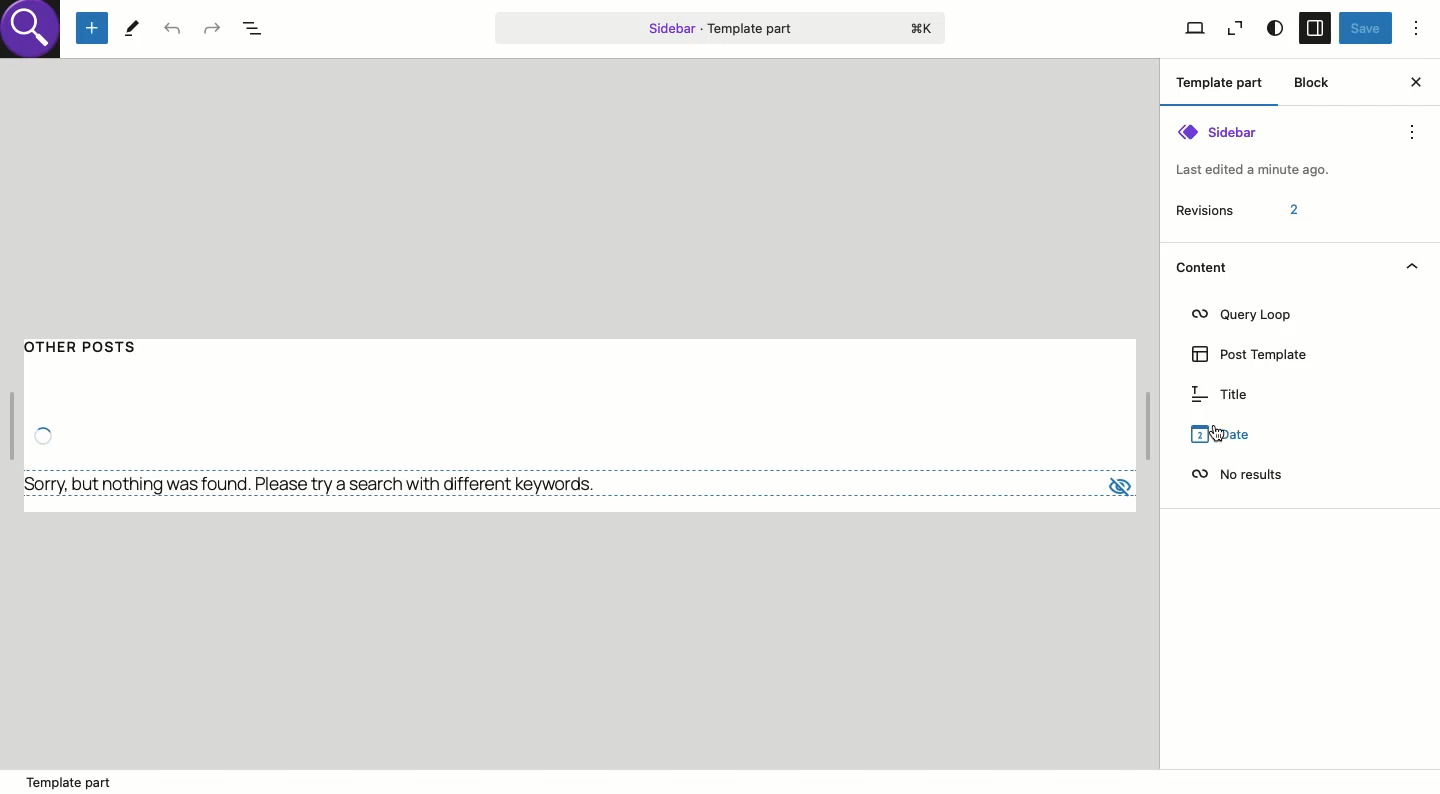  Describe the element at coordinates (720, 27) in the screenshot. I see `Template part` at that location.